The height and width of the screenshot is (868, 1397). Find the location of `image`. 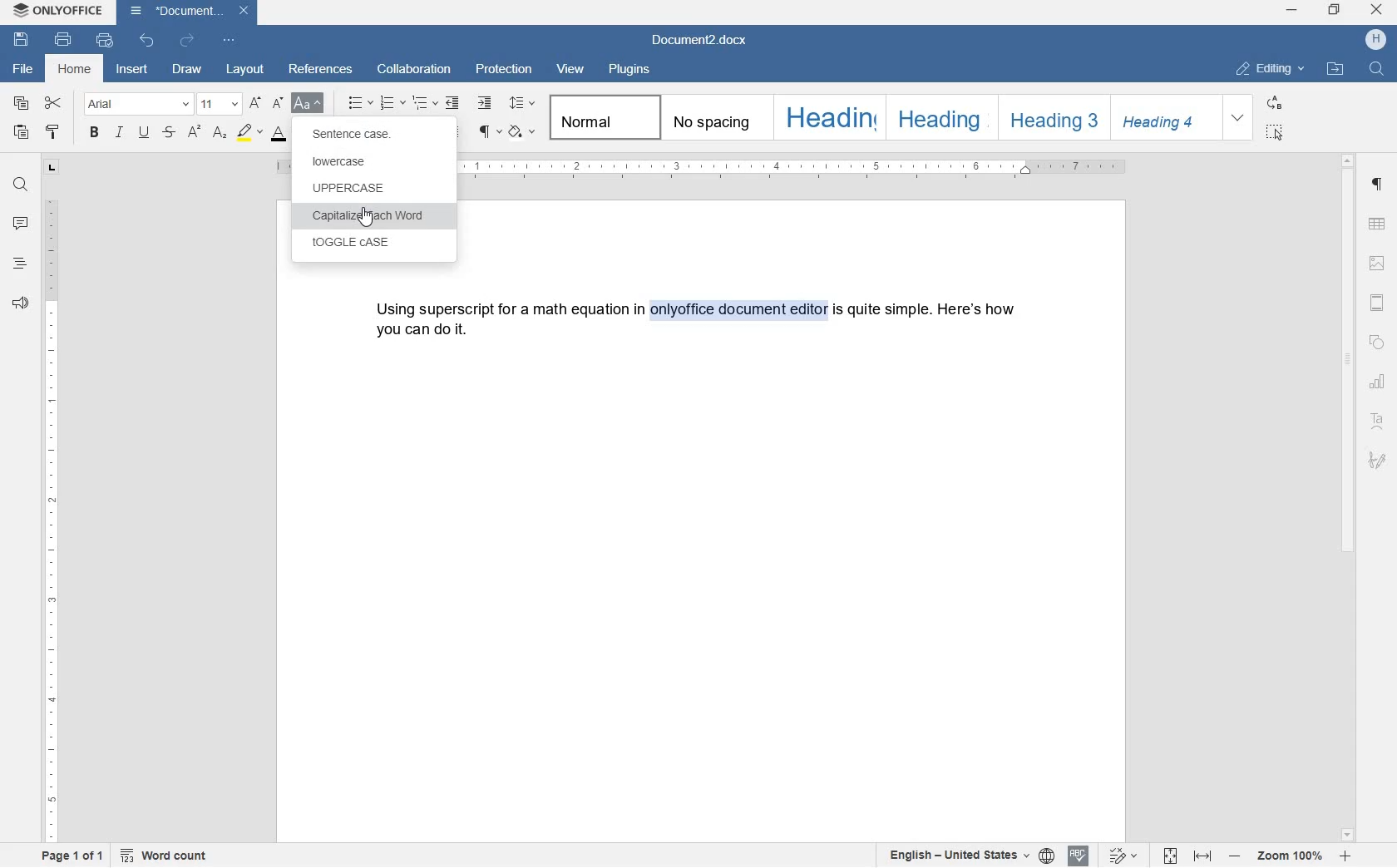

image is located at coordinates (1377, 263).